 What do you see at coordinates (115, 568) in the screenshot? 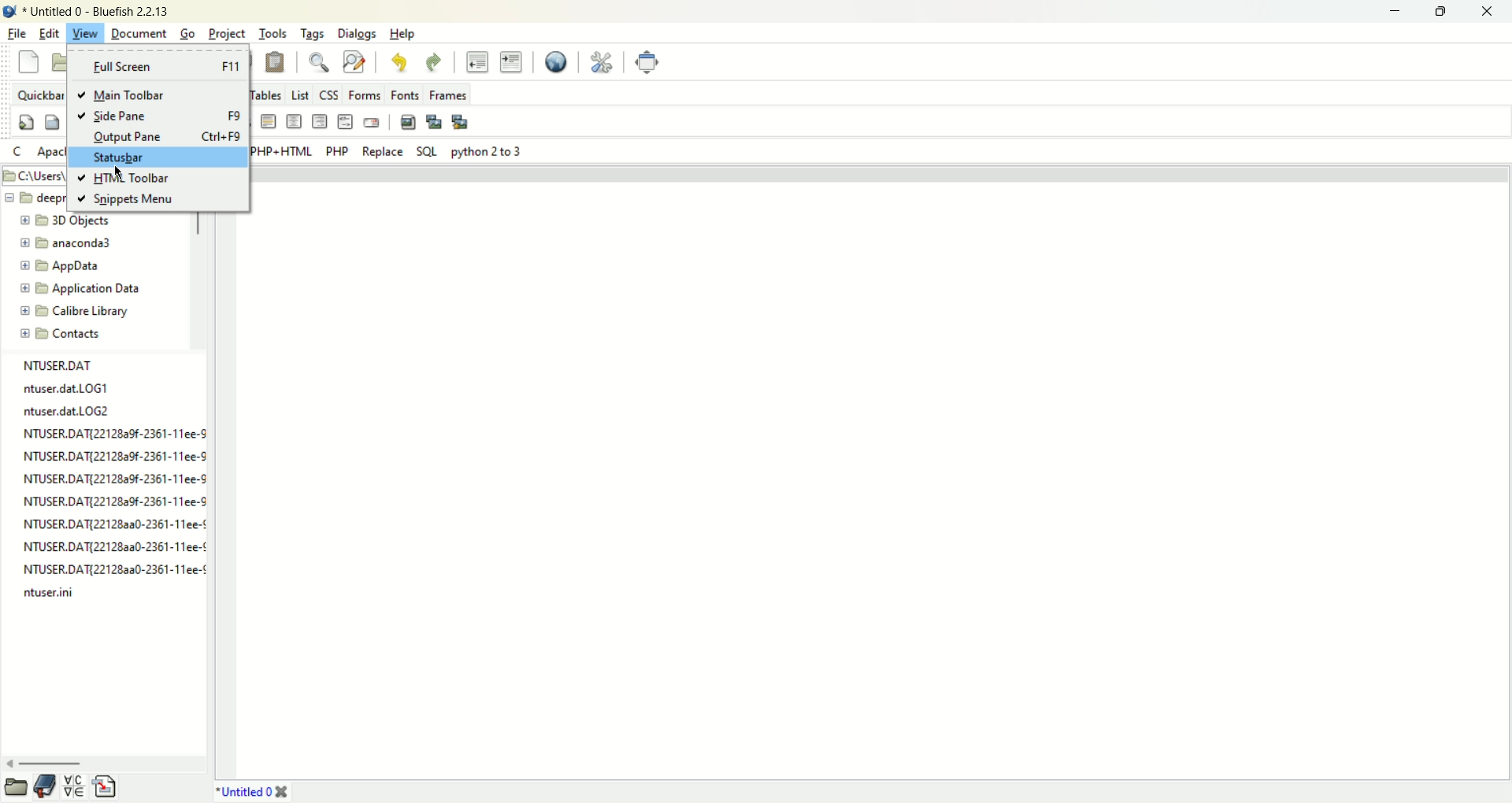
I see `NTUSER.DAT{221282a0-2361-11ee-¢` at bounding box center [115, 568].